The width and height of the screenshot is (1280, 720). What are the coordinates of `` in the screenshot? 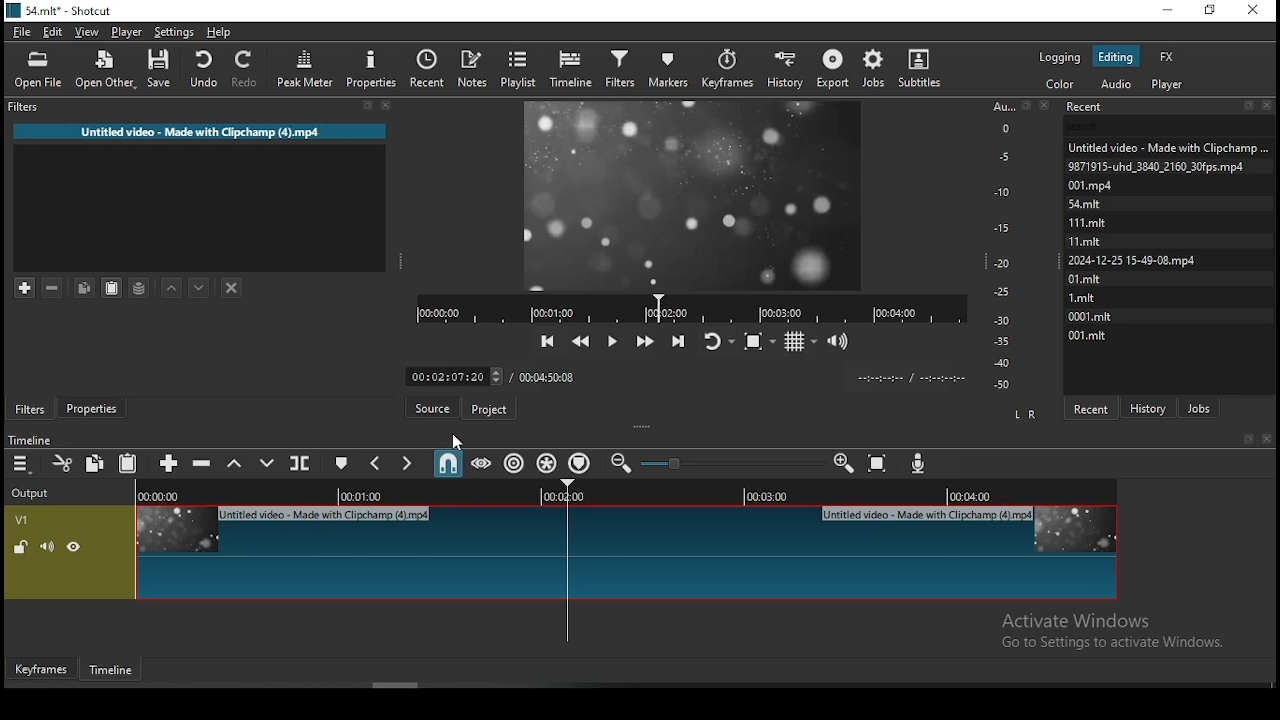 It's located at (406, 462).